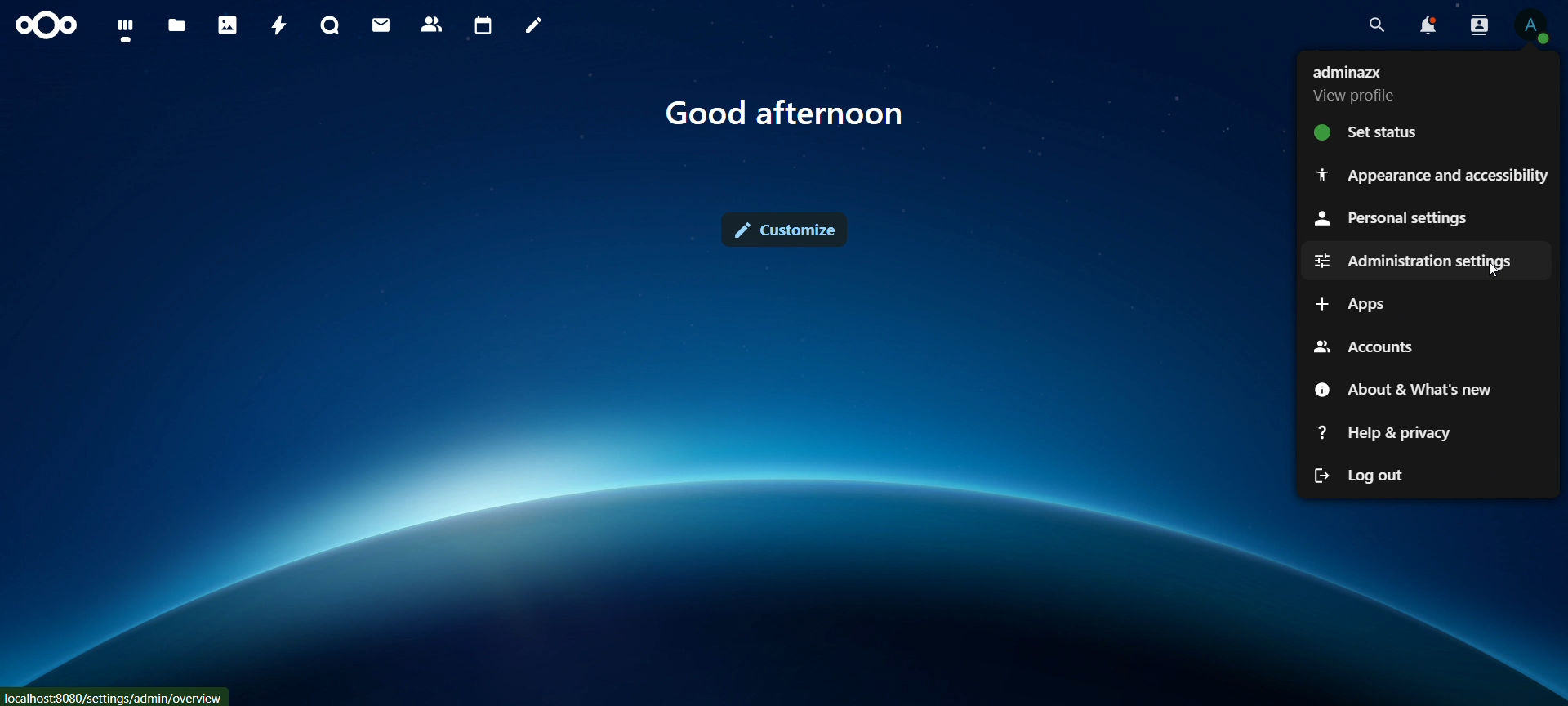 This screenshot has width=1568, height=706. I want to click on apps, so click(1356, 302).